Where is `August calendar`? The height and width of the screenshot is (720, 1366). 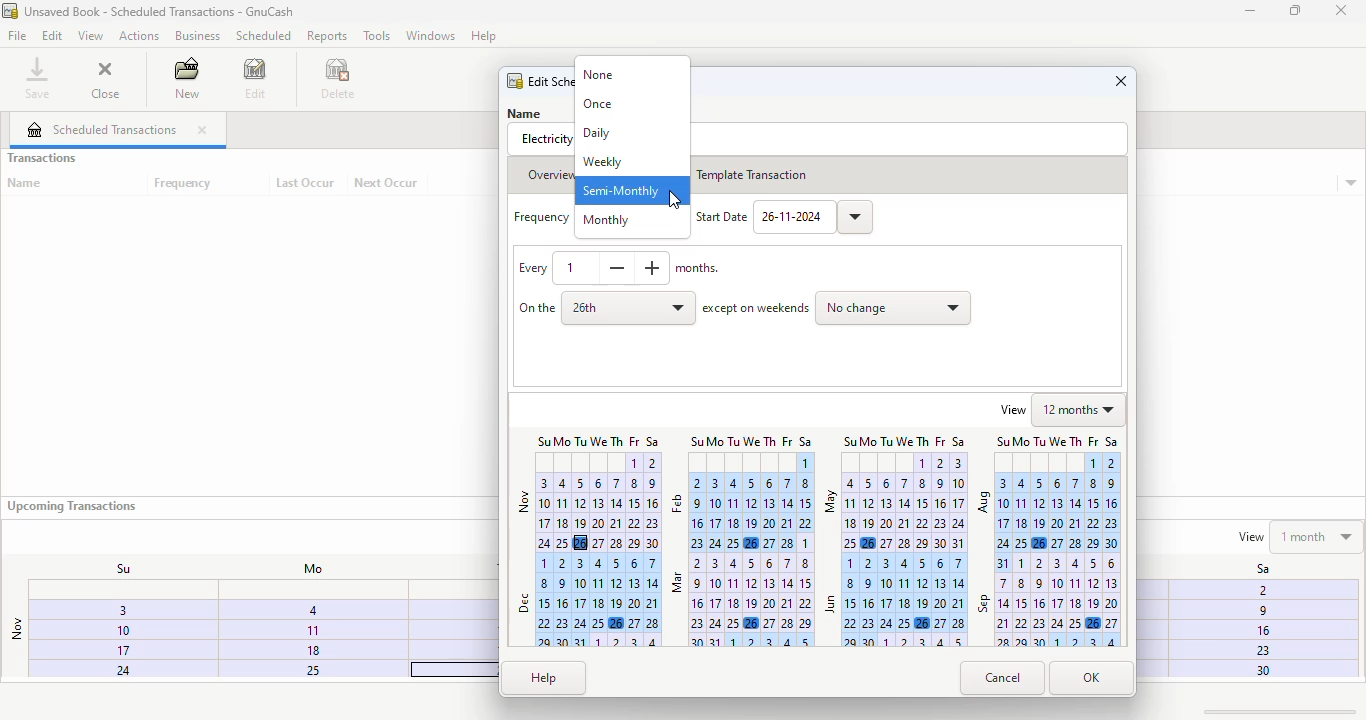
August calendar is located at coordinates (1048, 492).